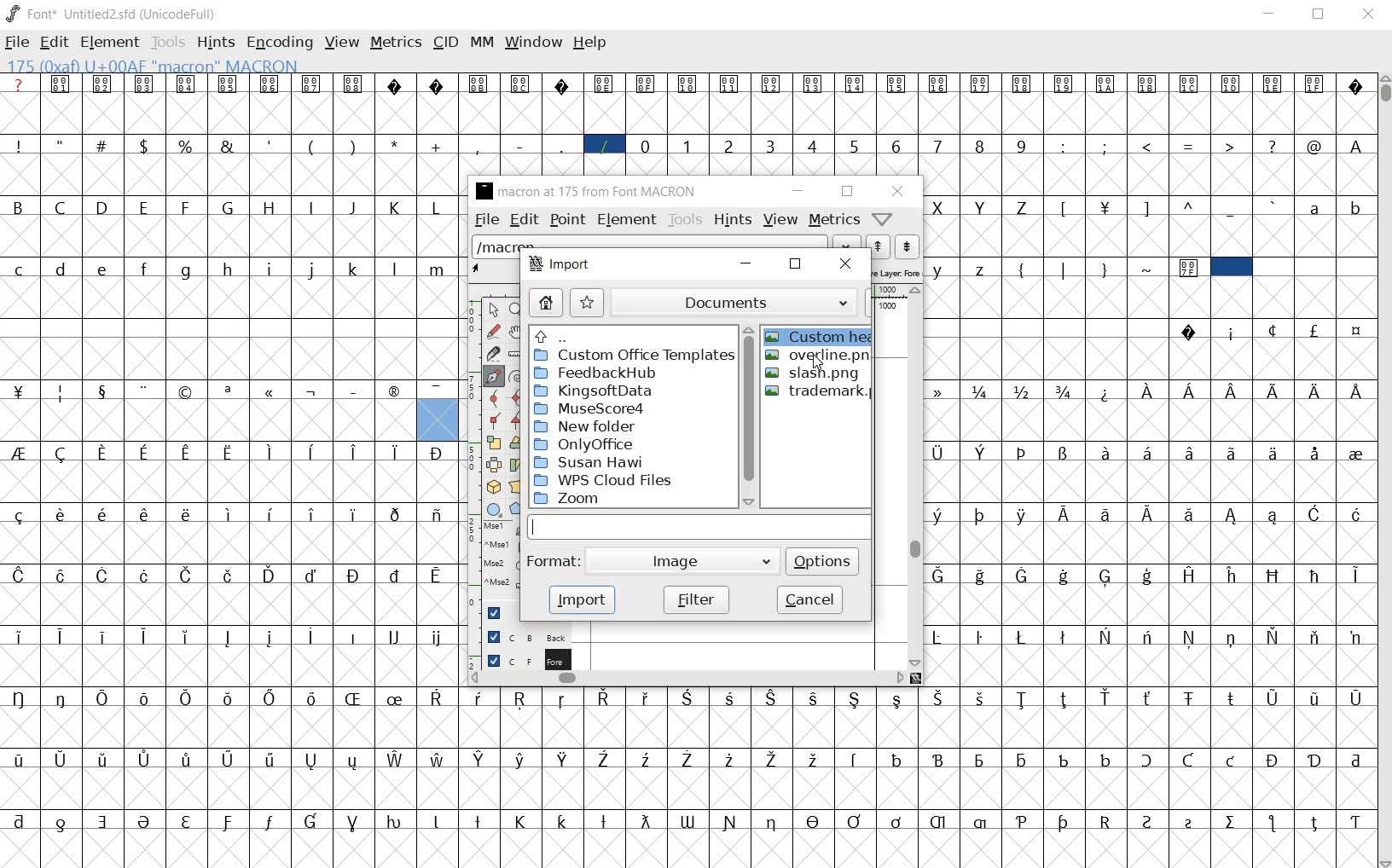 This screenshot has width=1392, height=868. I want to click on Symbol, so click(438, 575).